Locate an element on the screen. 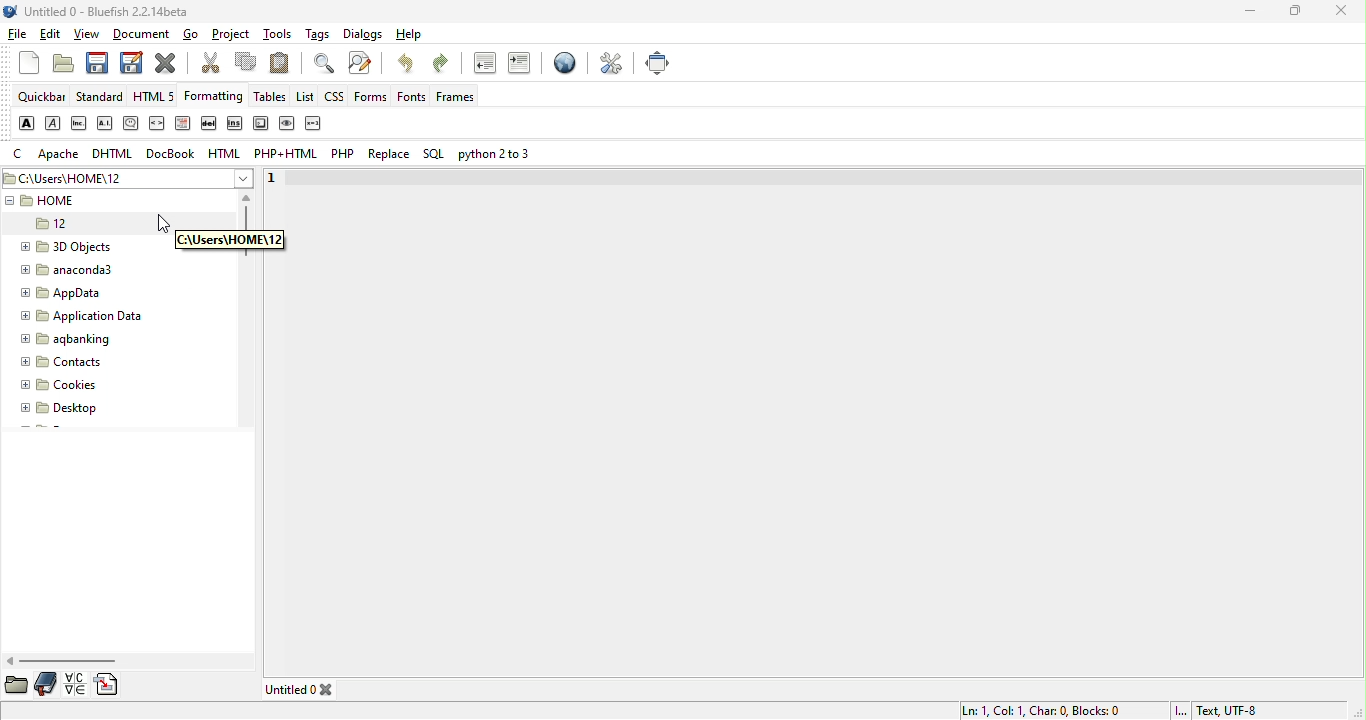 This screenshot has height=720, width=1366. text utf 8 is located at coordinates (1223, 709).